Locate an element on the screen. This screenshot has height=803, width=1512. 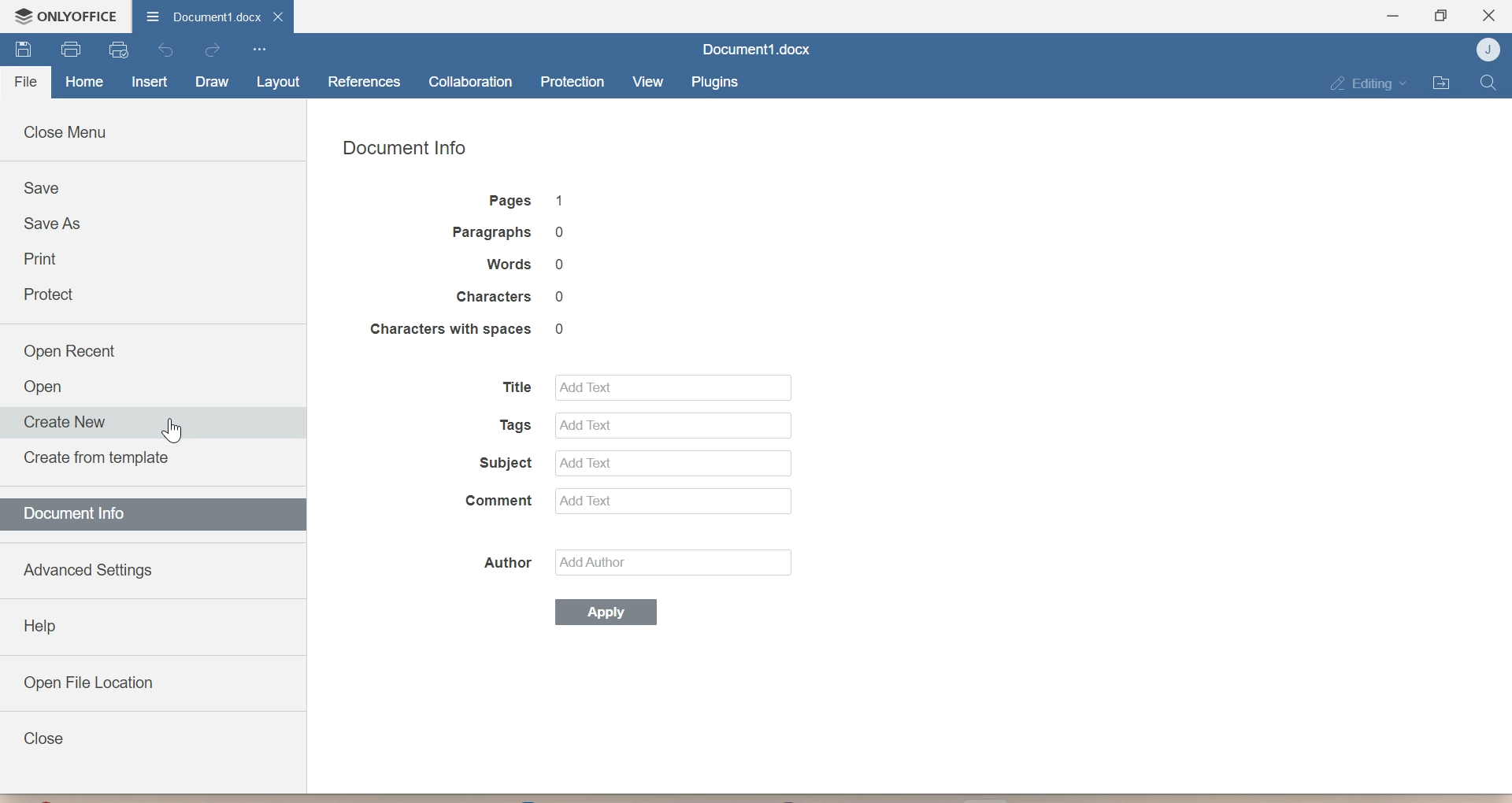
Help is located at coordinates (40, 626).